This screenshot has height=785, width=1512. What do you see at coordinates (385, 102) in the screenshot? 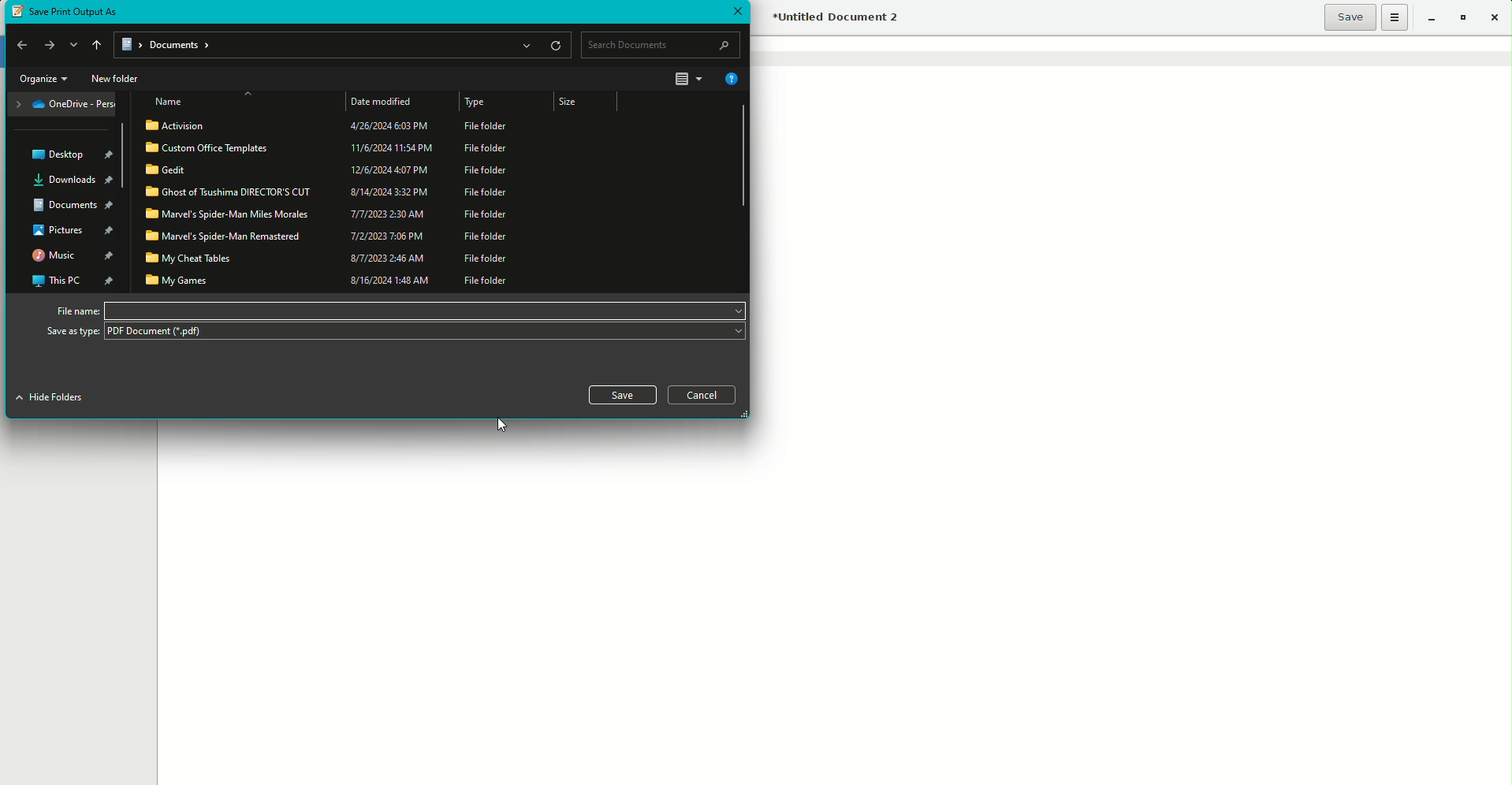
I see `Date modified` at bounding box center [385, 102].